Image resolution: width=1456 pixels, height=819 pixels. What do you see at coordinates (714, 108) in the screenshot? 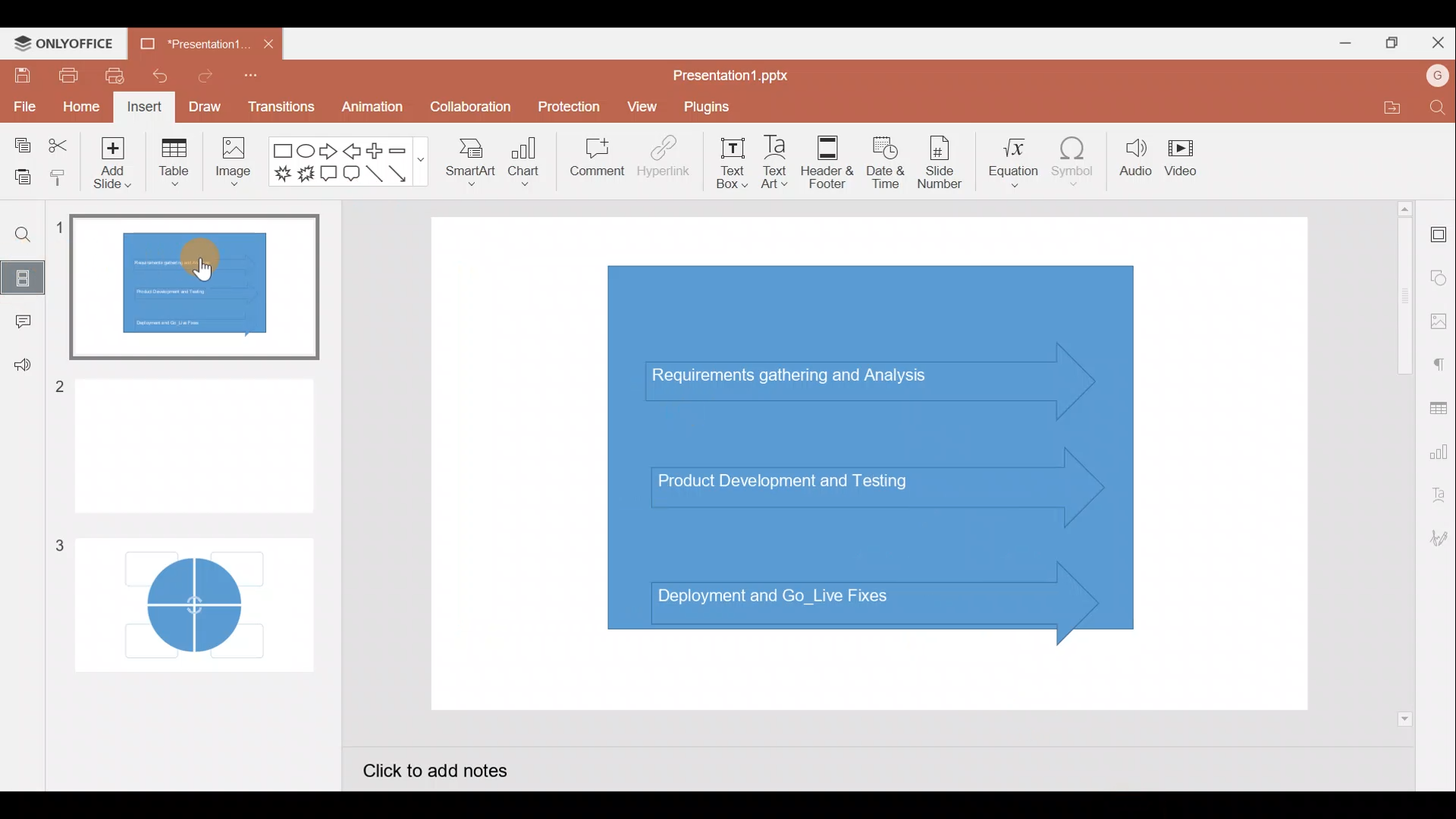
I see `Plugins` at bounding box center [714, 108].